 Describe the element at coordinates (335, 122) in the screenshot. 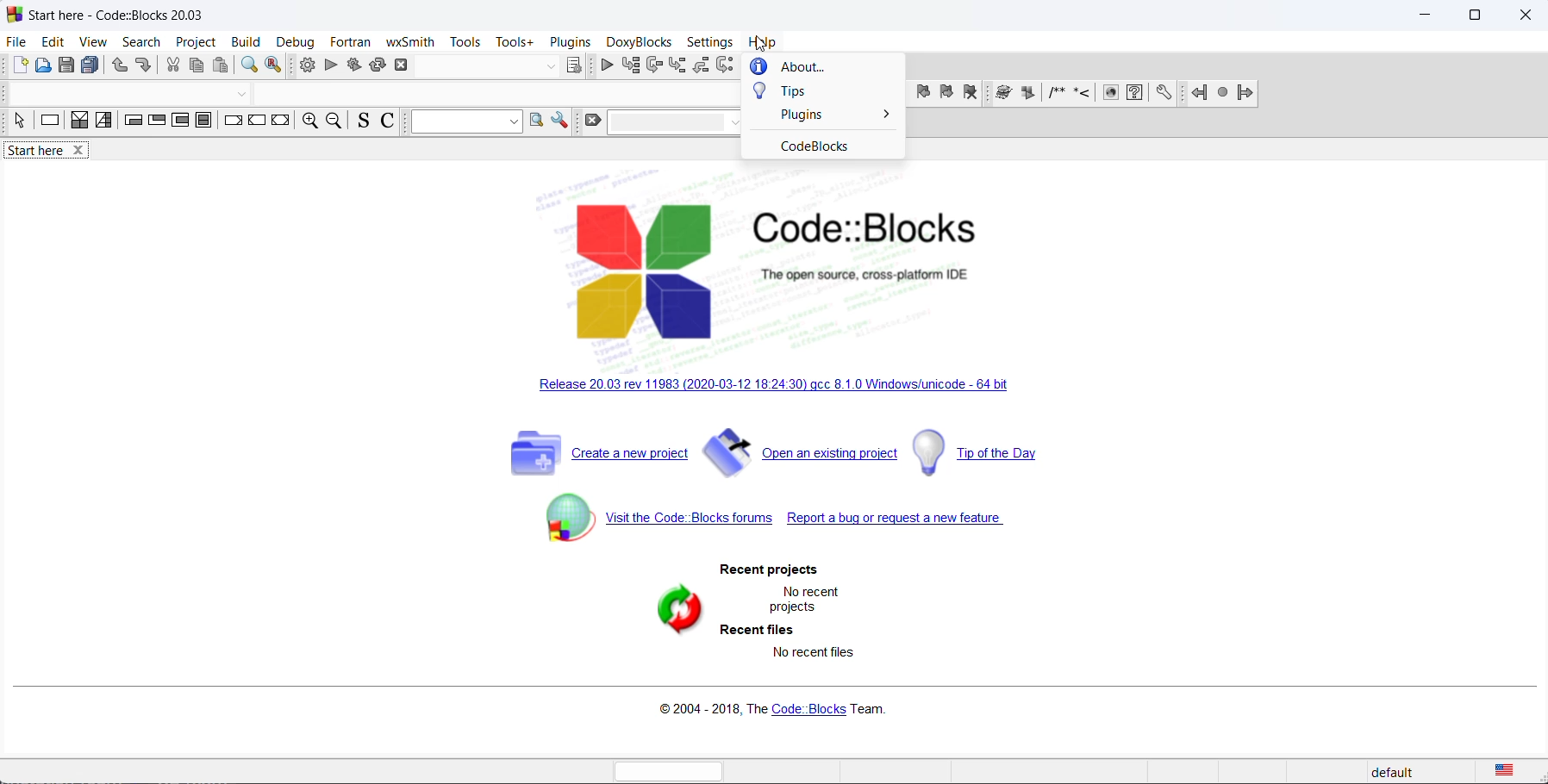

I see `zoom out` at that location.